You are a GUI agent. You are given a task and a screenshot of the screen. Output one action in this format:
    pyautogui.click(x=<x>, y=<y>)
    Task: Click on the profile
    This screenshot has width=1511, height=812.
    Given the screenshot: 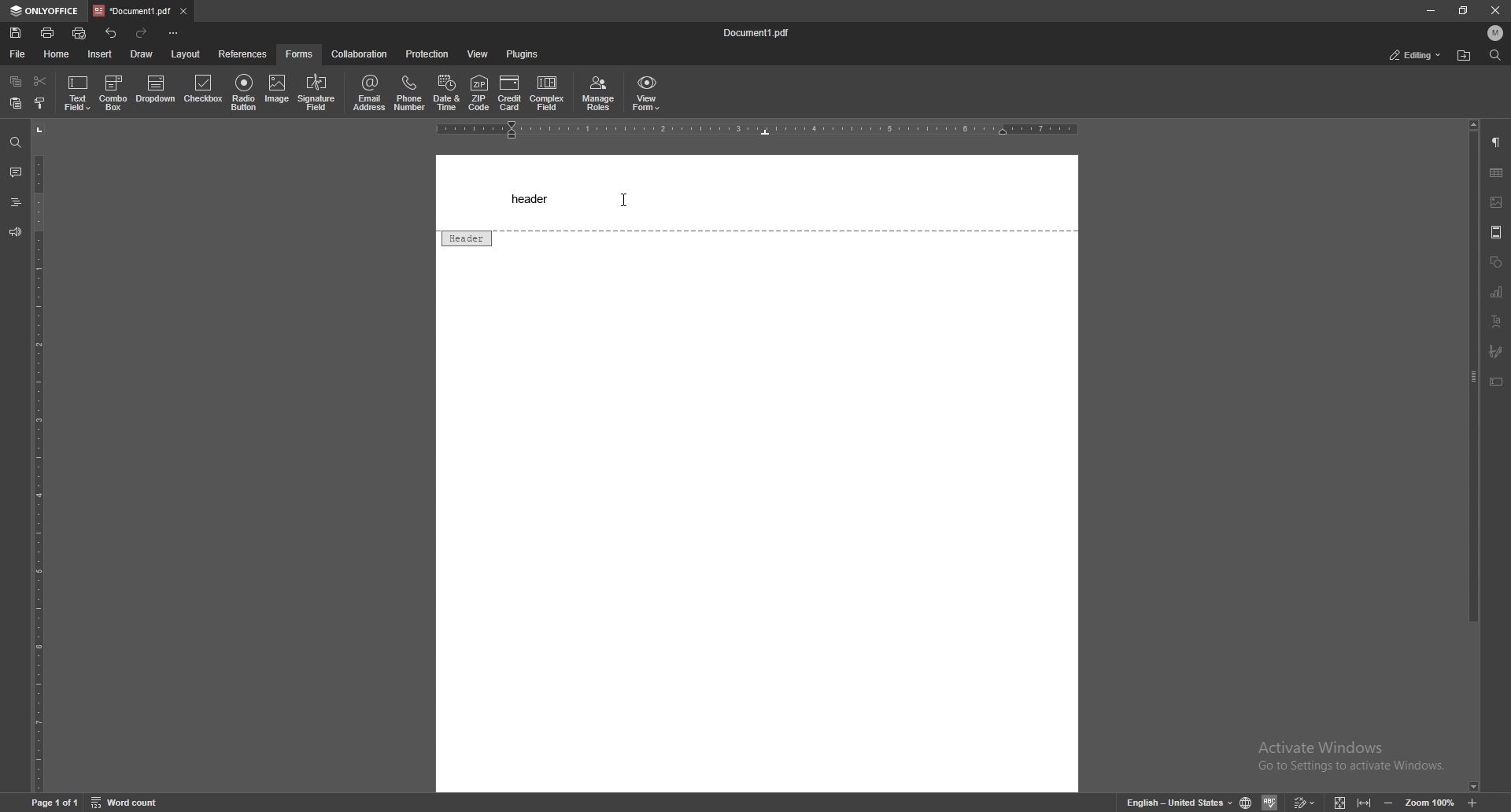 What is the action you would take?
    pyautogui.click(x=1495, y=32)
    